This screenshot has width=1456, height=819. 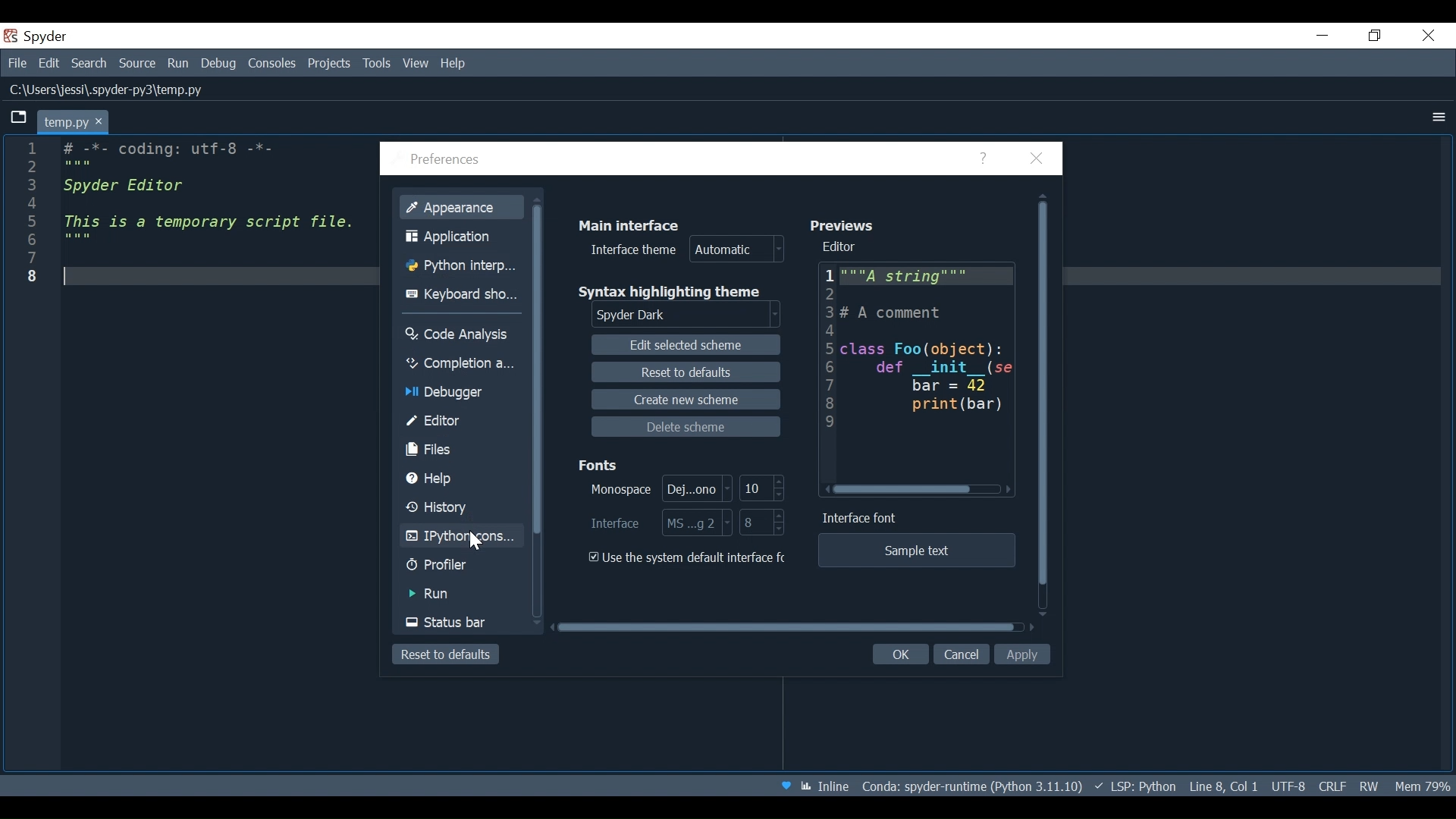 I want to click on Projects, so click(x=331, y=63).